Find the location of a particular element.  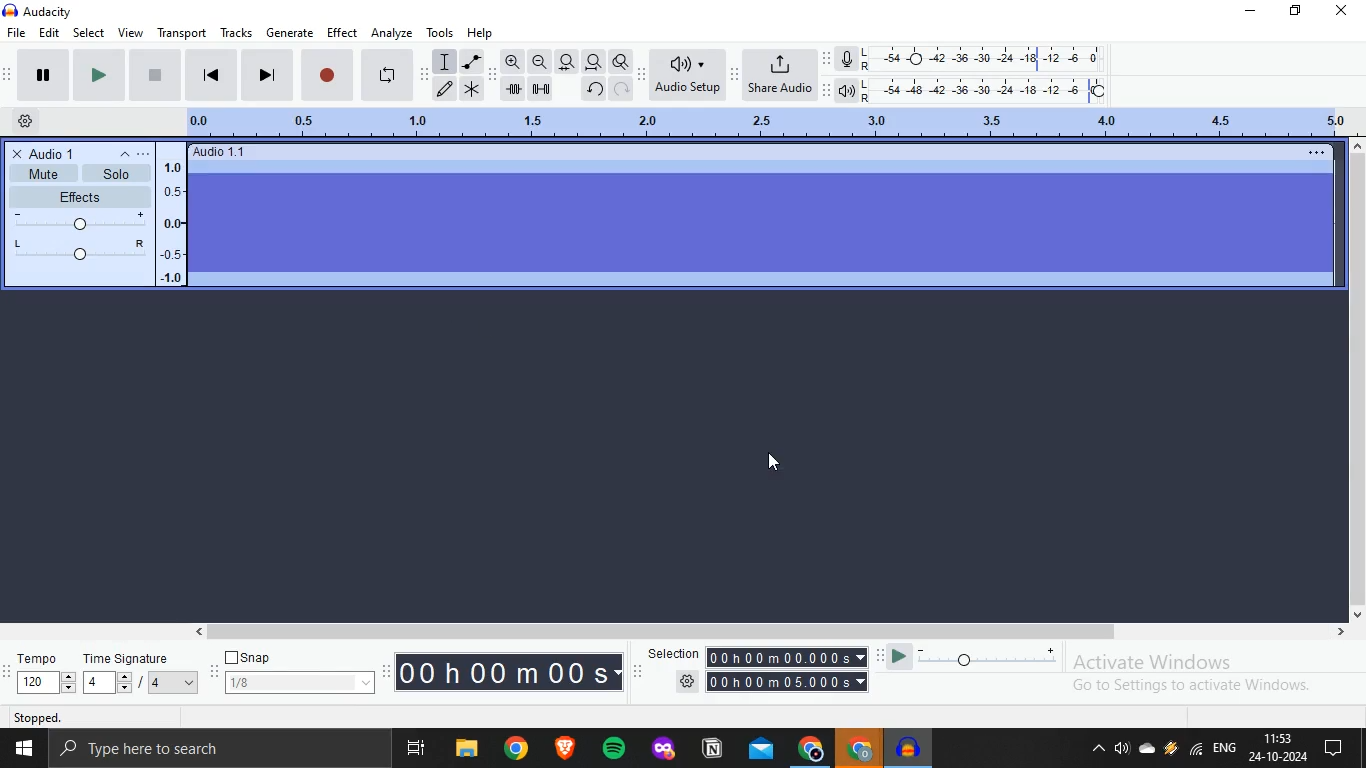

Zoom In is located at coordinates (511, 61).